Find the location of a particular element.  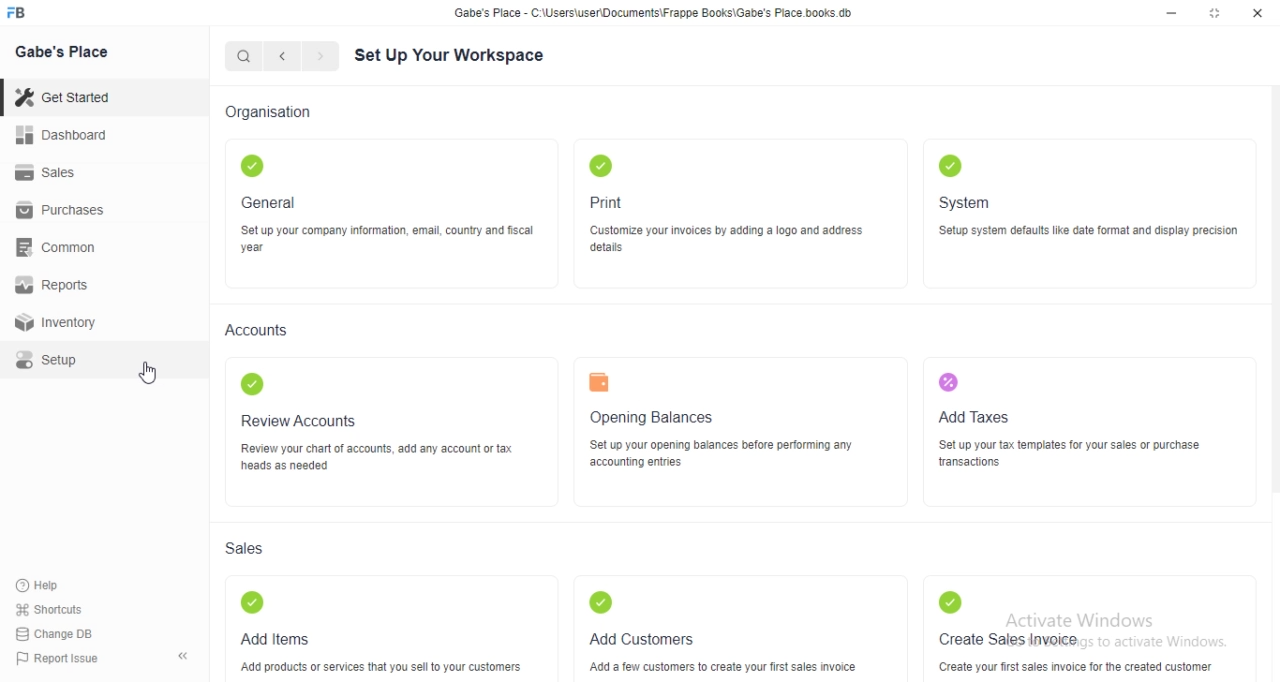

Report issue -~ is located at coordinates (103, 661).